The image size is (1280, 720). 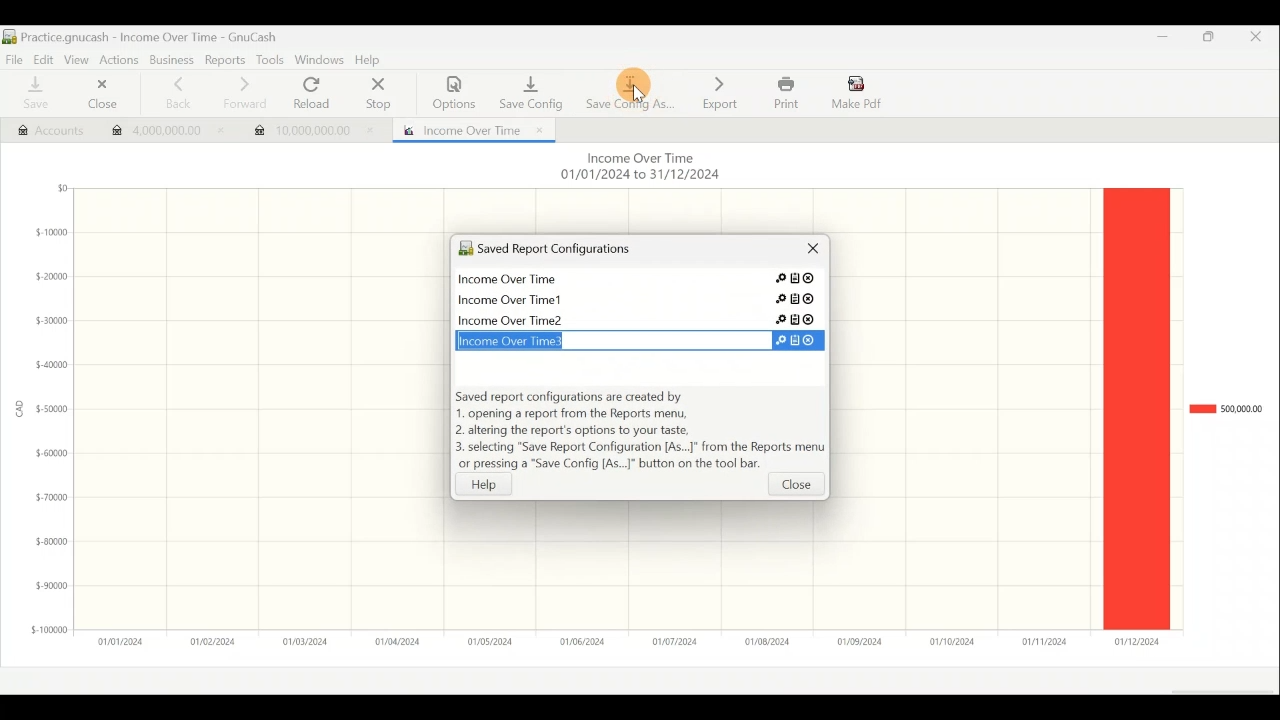 What do you see at coordinates (630, 90) in the screenshot?
I see `Save config as` at bounding box center [630, 90].